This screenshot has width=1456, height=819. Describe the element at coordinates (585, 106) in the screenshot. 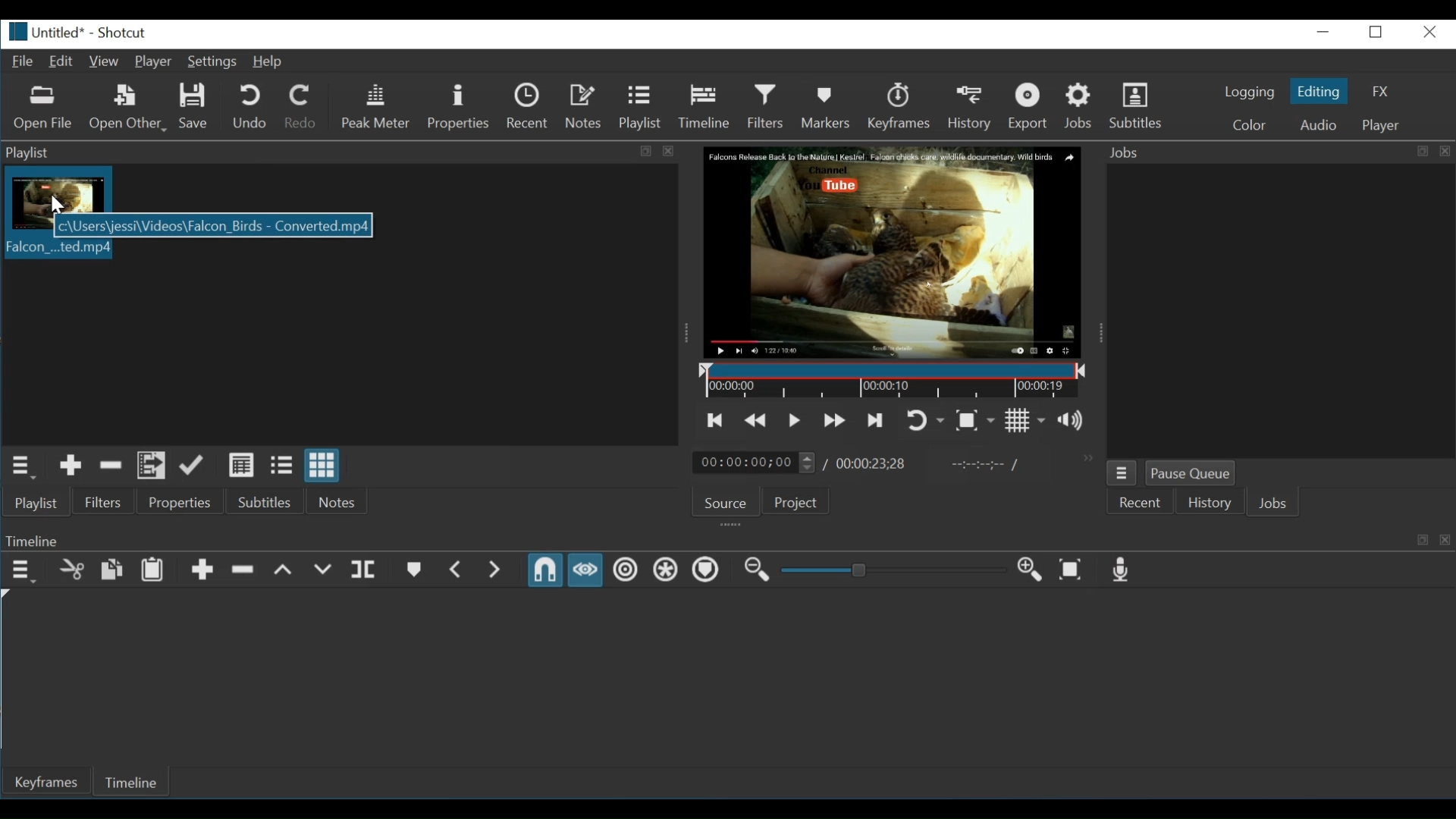

I see `Notes` at that location.